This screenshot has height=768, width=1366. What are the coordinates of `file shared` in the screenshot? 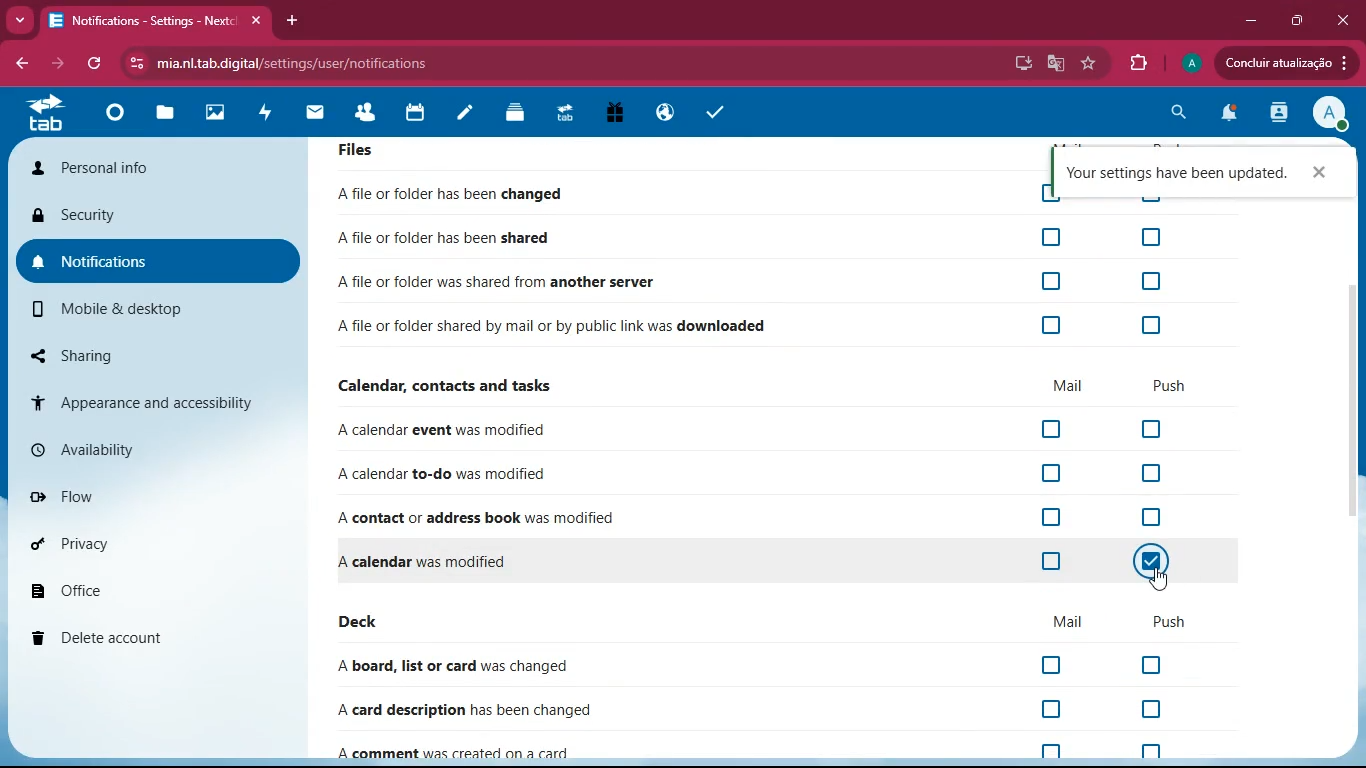 It's located at (454, 239).